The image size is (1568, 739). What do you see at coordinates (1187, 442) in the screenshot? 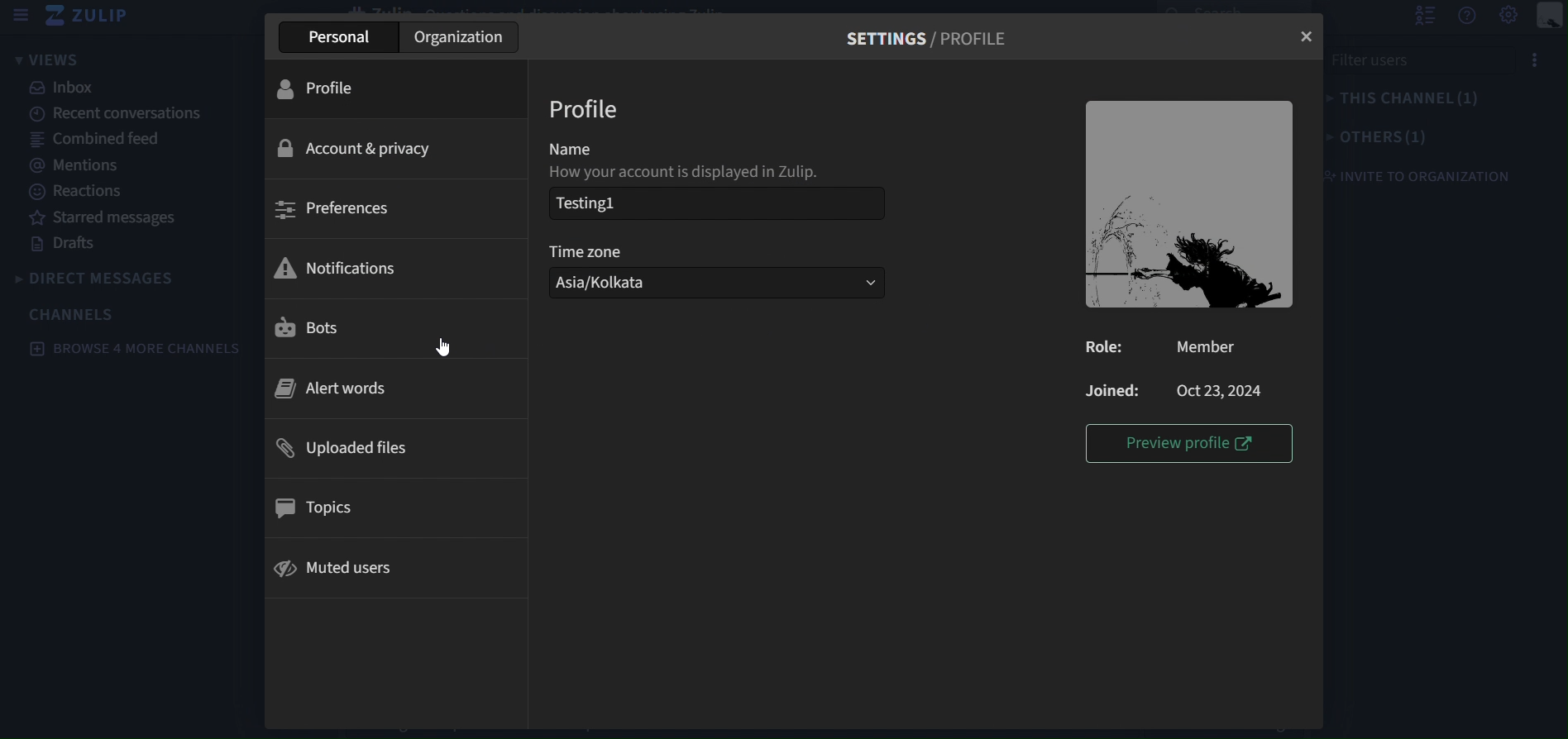
I see `preview profile` at bounding box center [1187, 442].